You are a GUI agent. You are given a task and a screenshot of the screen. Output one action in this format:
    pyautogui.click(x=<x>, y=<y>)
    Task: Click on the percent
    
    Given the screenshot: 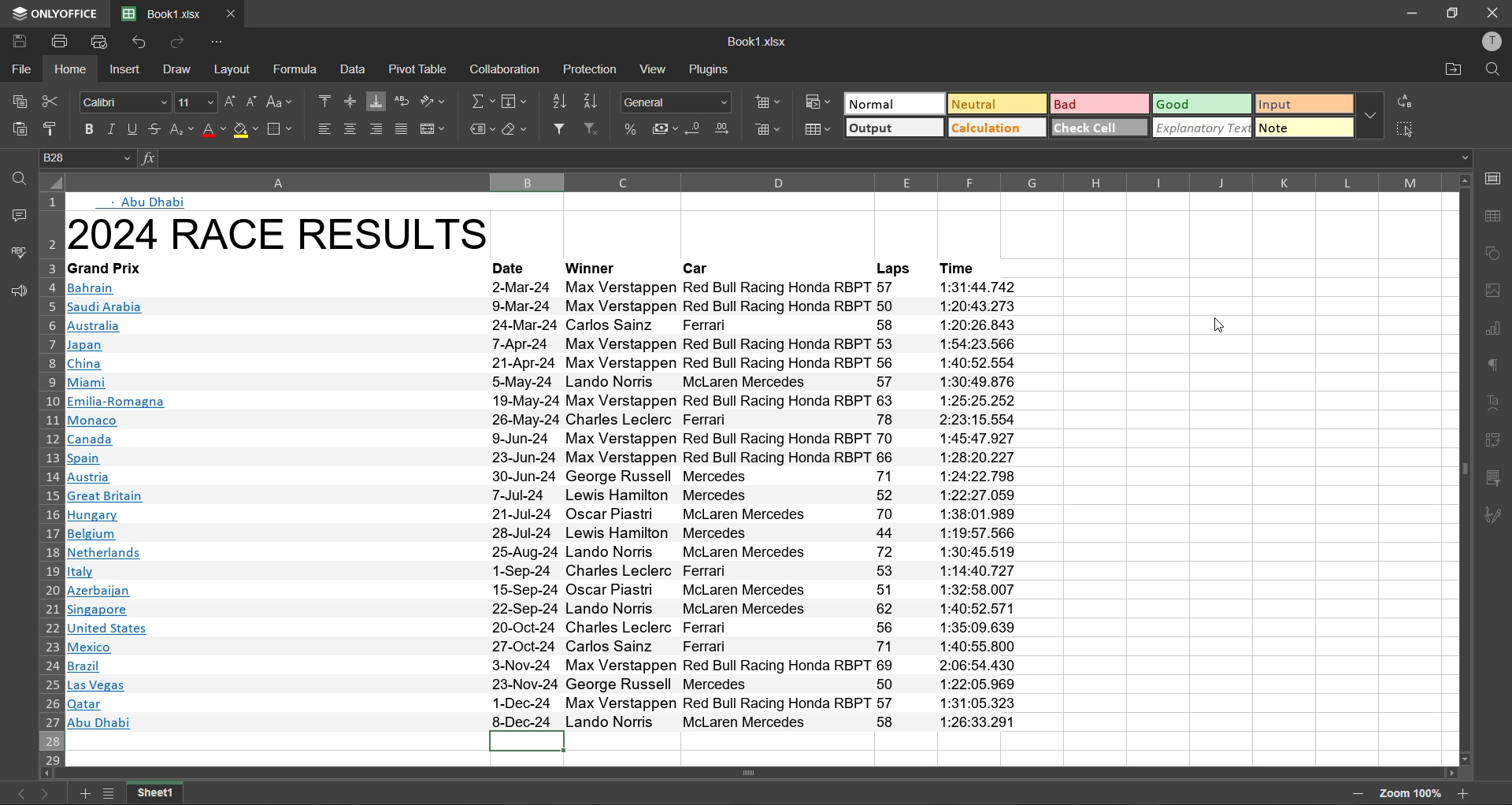 What is the action you would take?
    pyautogui.click(x=632, y=128)
    